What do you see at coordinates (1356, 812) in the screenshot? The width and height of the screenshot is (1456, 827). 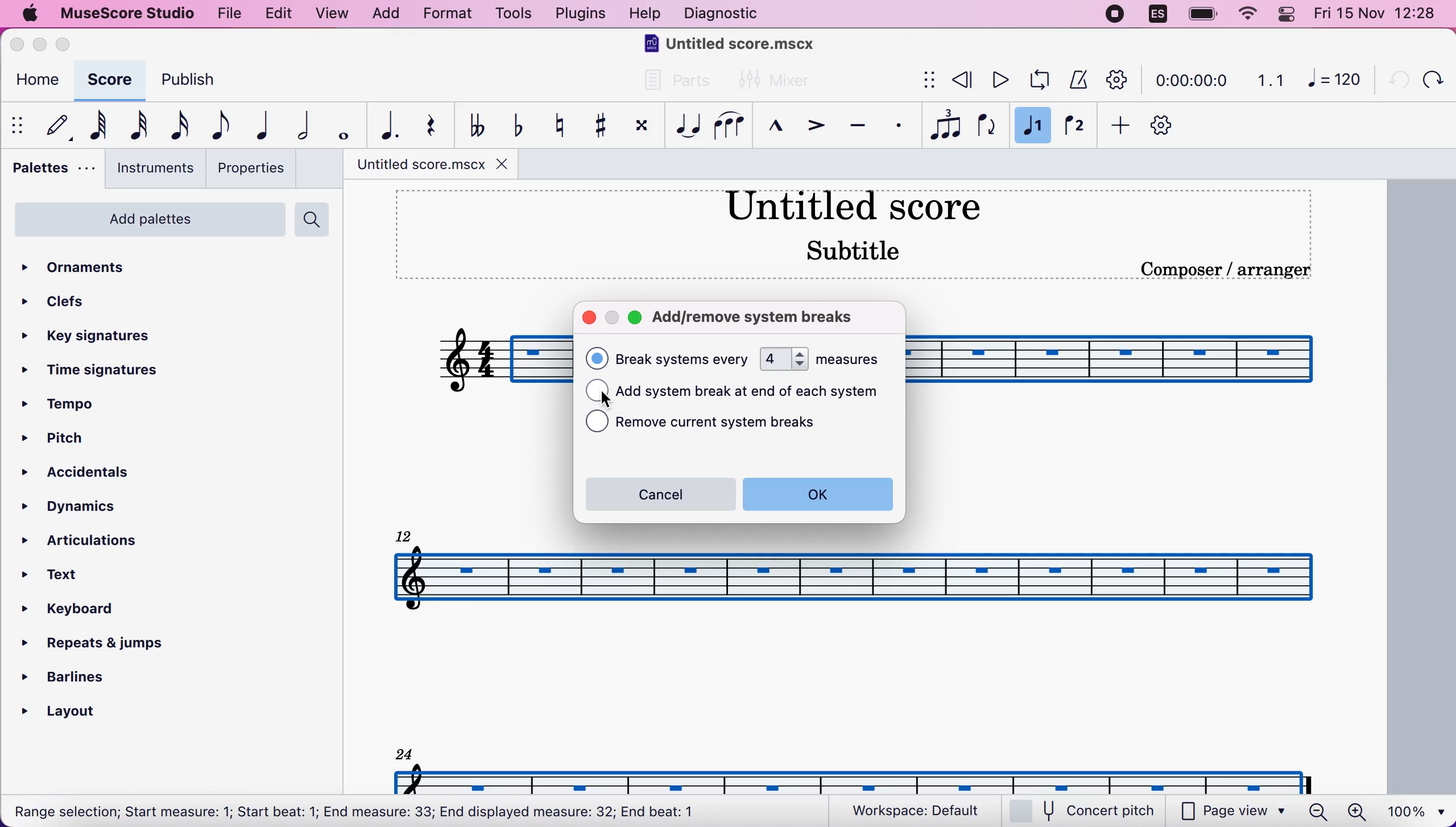 I see `zoom in` at bounding box center [1356, 812].